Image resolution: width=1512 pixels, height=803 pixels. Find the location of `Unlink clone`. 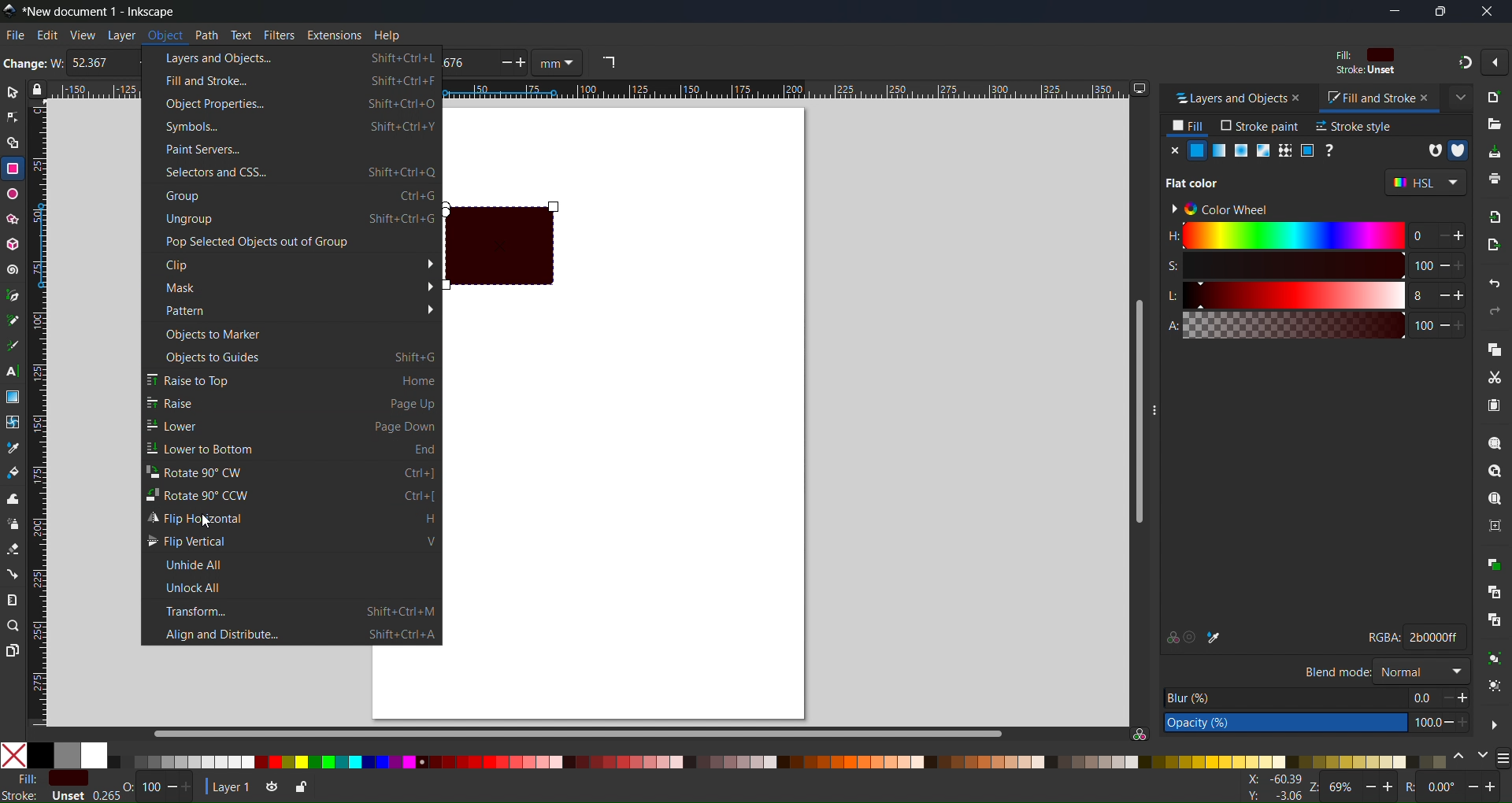

Unlink clone is located at coordinates (1494, 621).